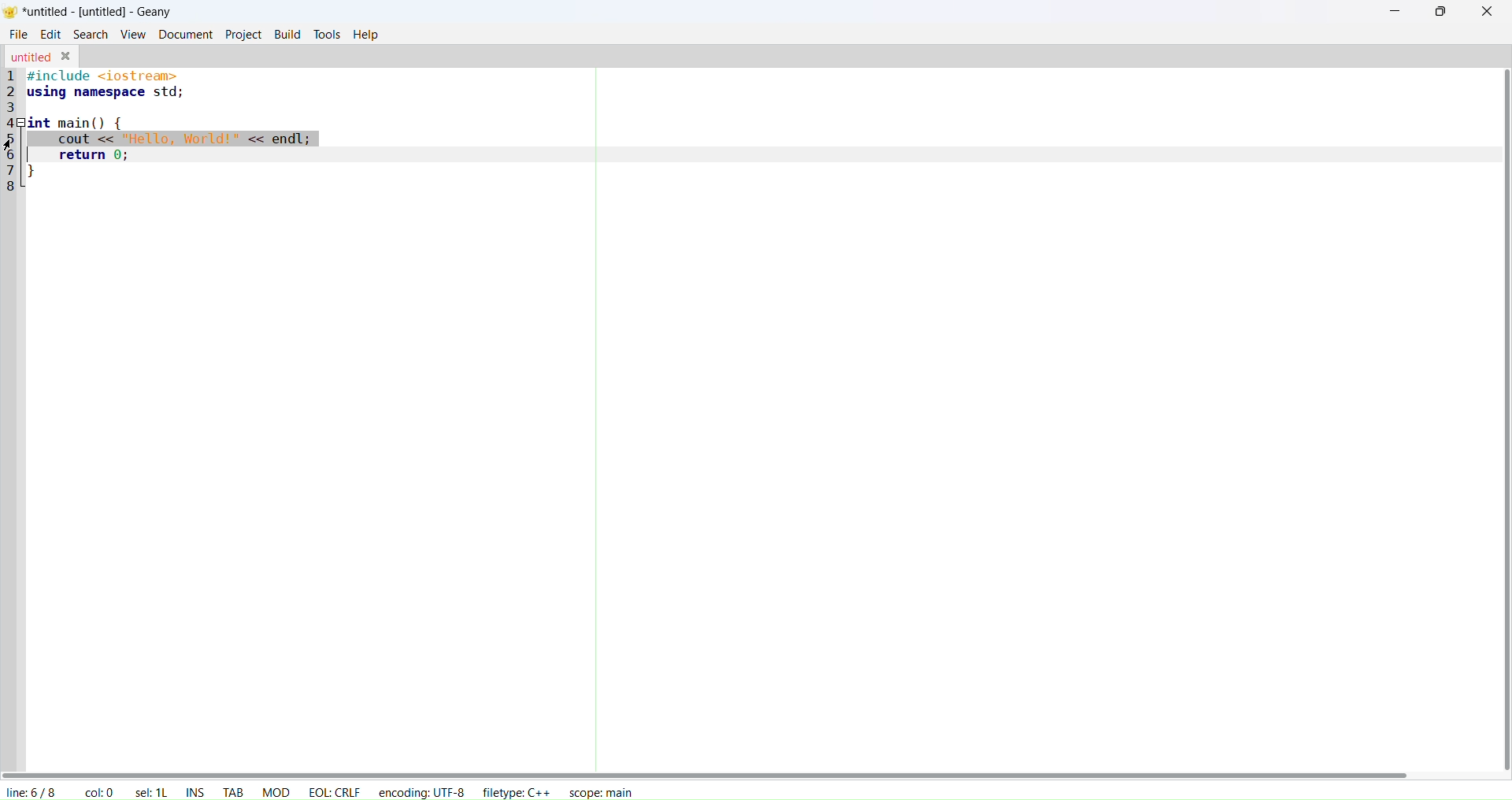 The height and width of the screenshot is (800, 1512). Describe the element at coordinates (151, 790) in the screenshot. I see `sel: 1L` at that location.